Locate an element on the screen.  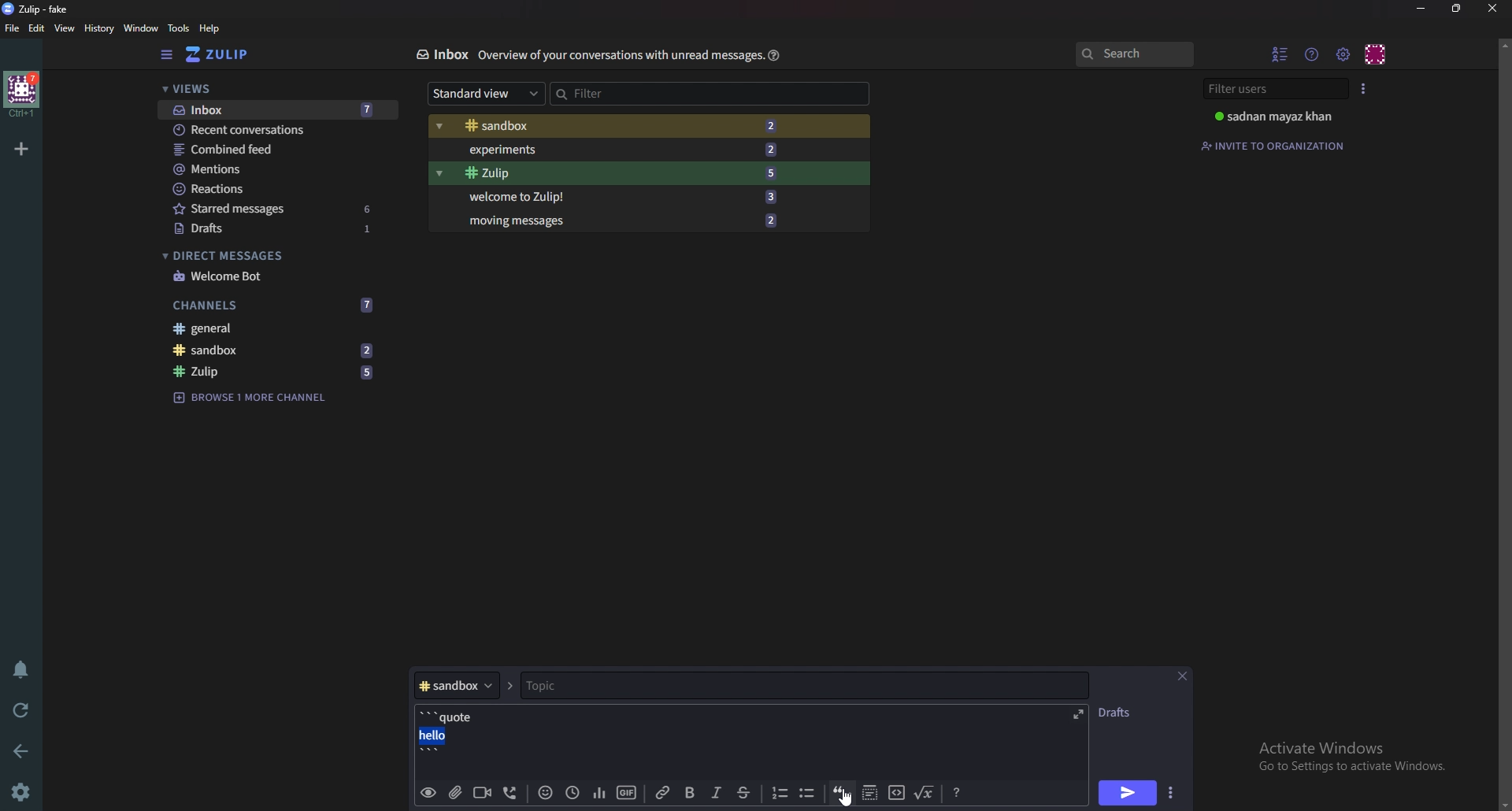
Drafts is located at coordinates (239, 229).